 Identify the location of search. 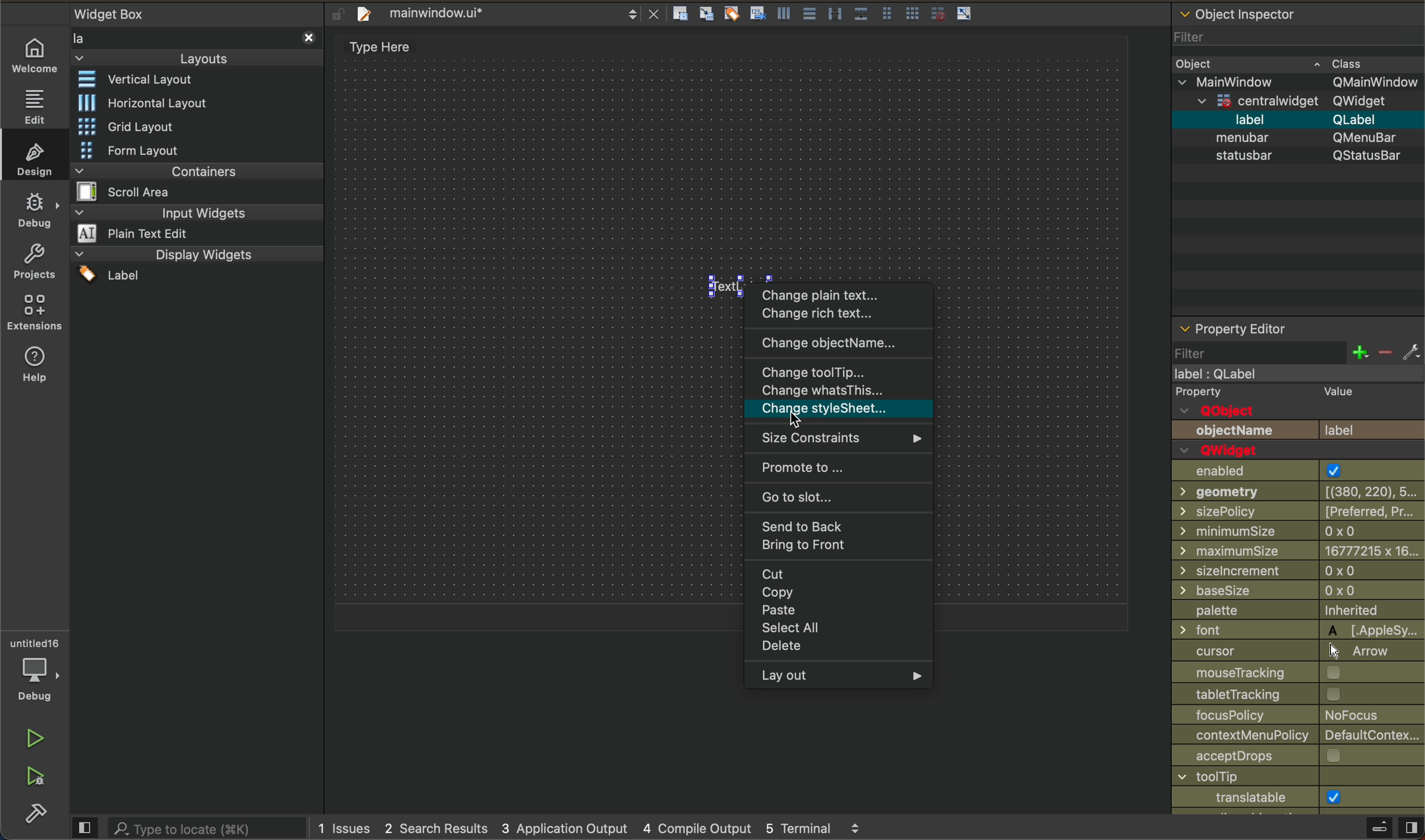
(187, 827).